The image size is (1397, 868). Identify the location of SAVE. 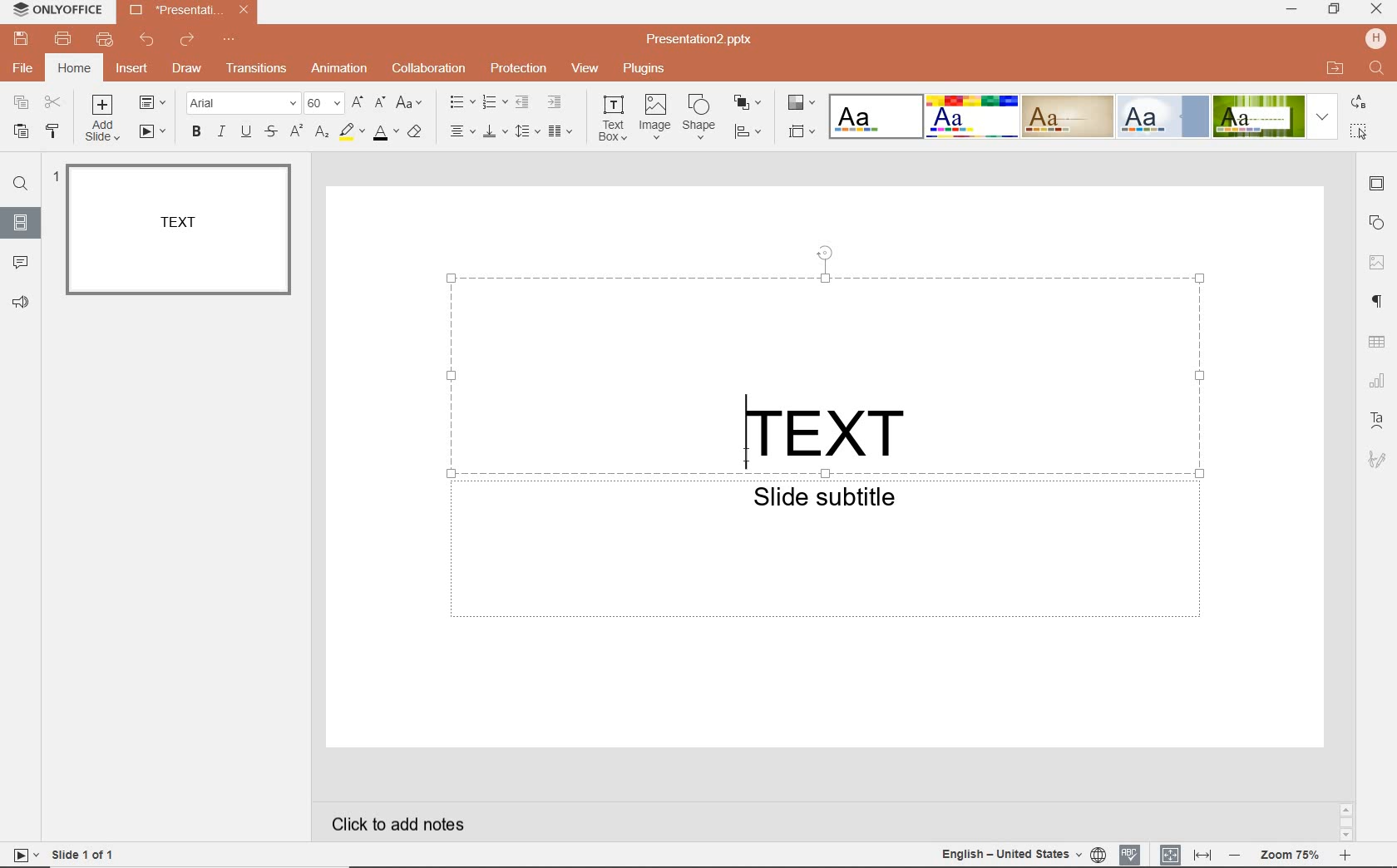
(21, 37).